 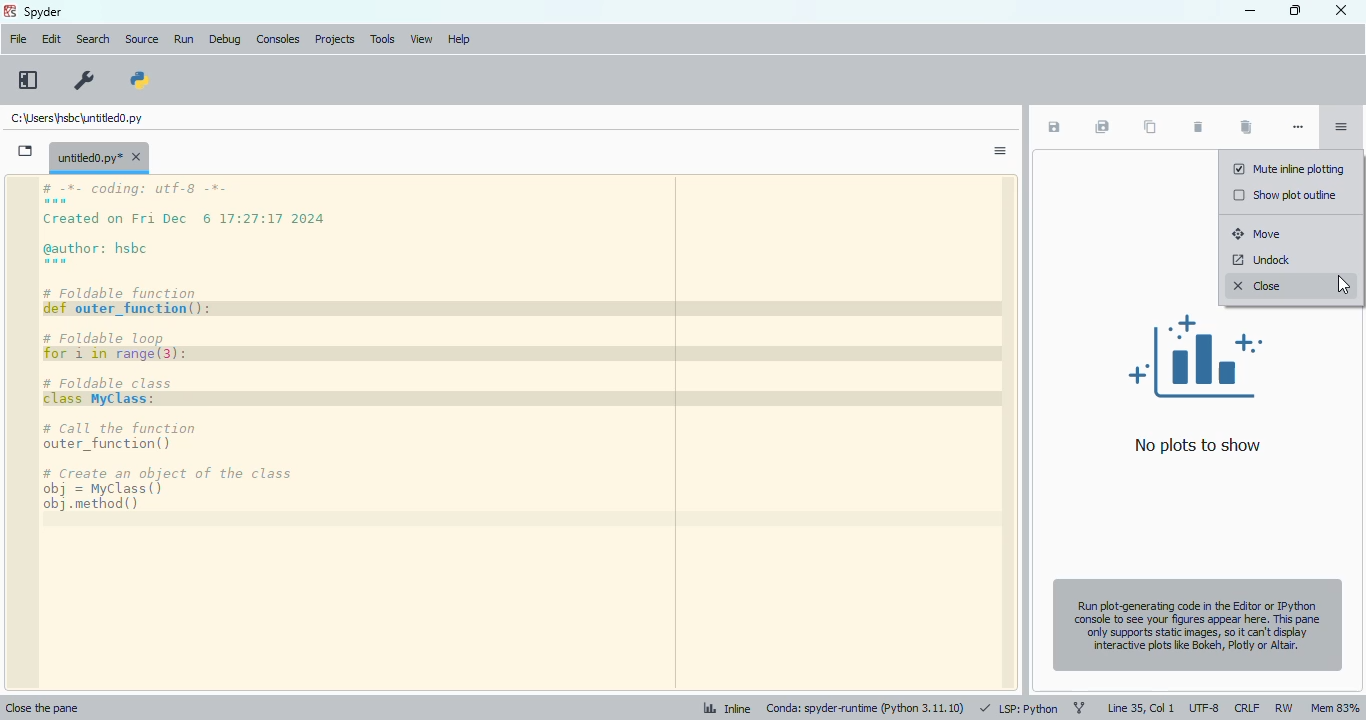 What do you see at coordinates (1140, 708) in the screenshot?
I see `line 35, col 1` at bounding box center [1140, 708].